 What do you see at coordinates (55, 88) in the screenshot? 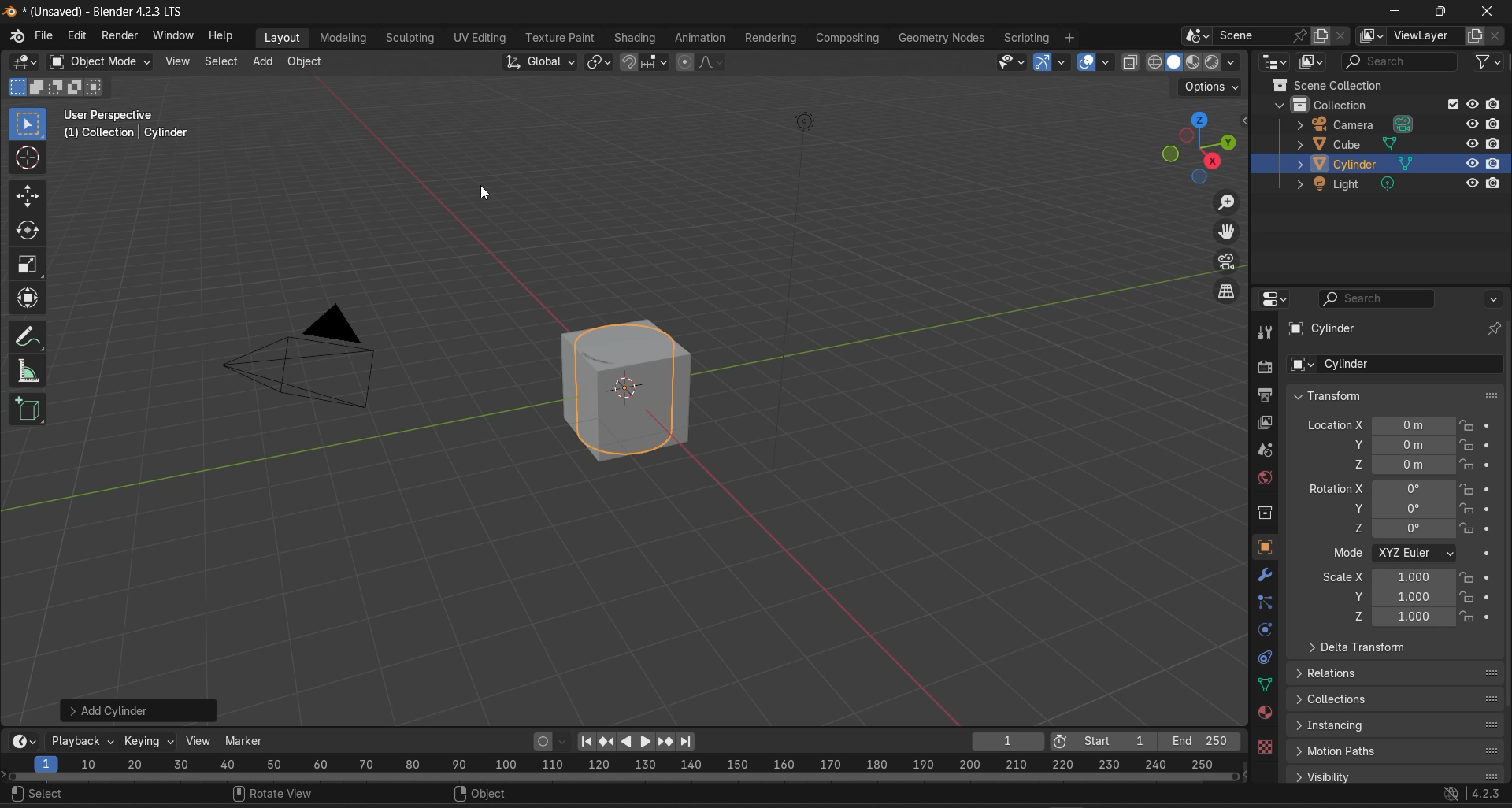
I see `mode: subtract existing selection` at bounding box center [55, 88].